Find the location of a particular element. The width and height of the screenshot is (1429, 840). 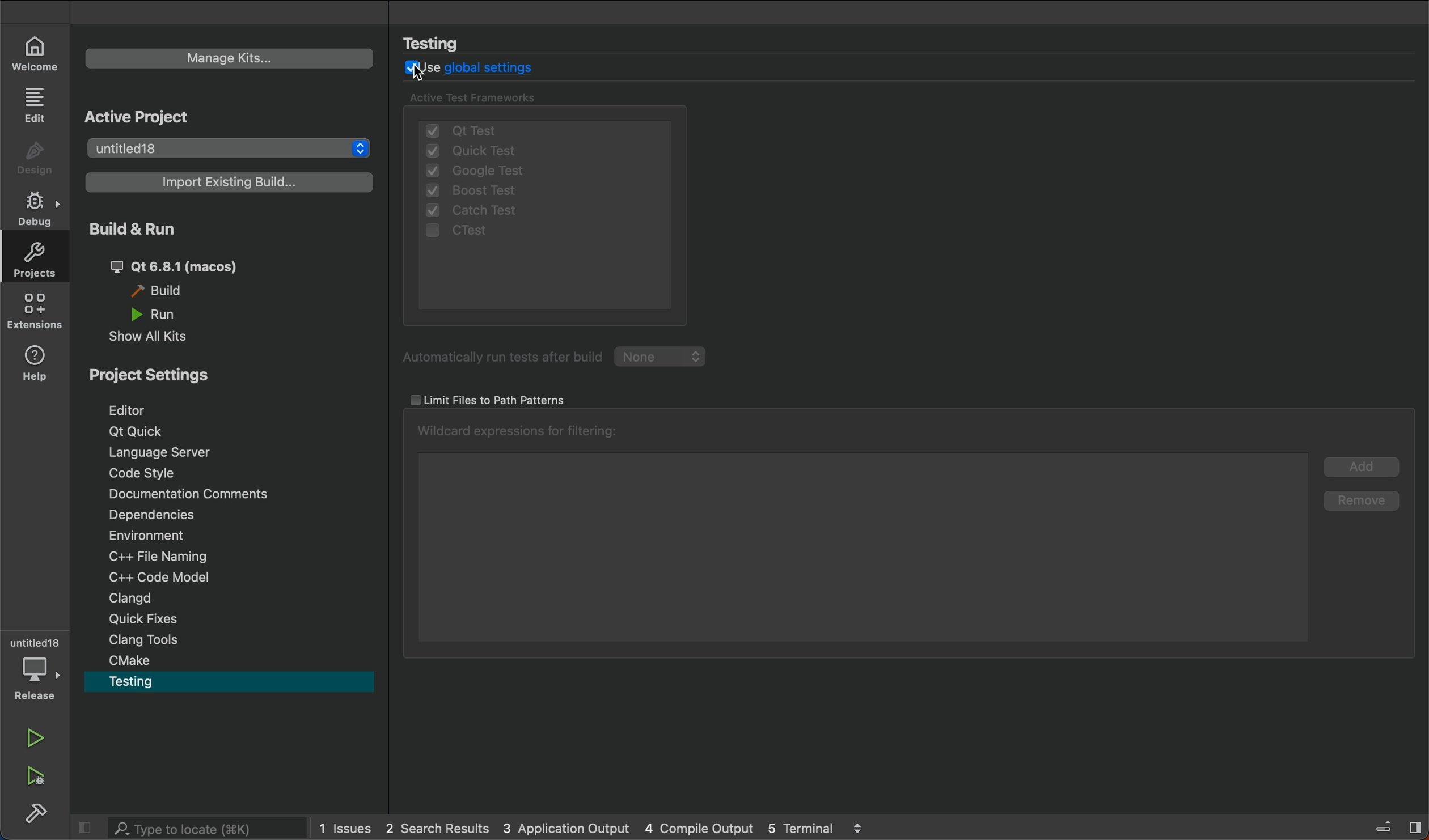

coding style is located at coordinates (229, 477).